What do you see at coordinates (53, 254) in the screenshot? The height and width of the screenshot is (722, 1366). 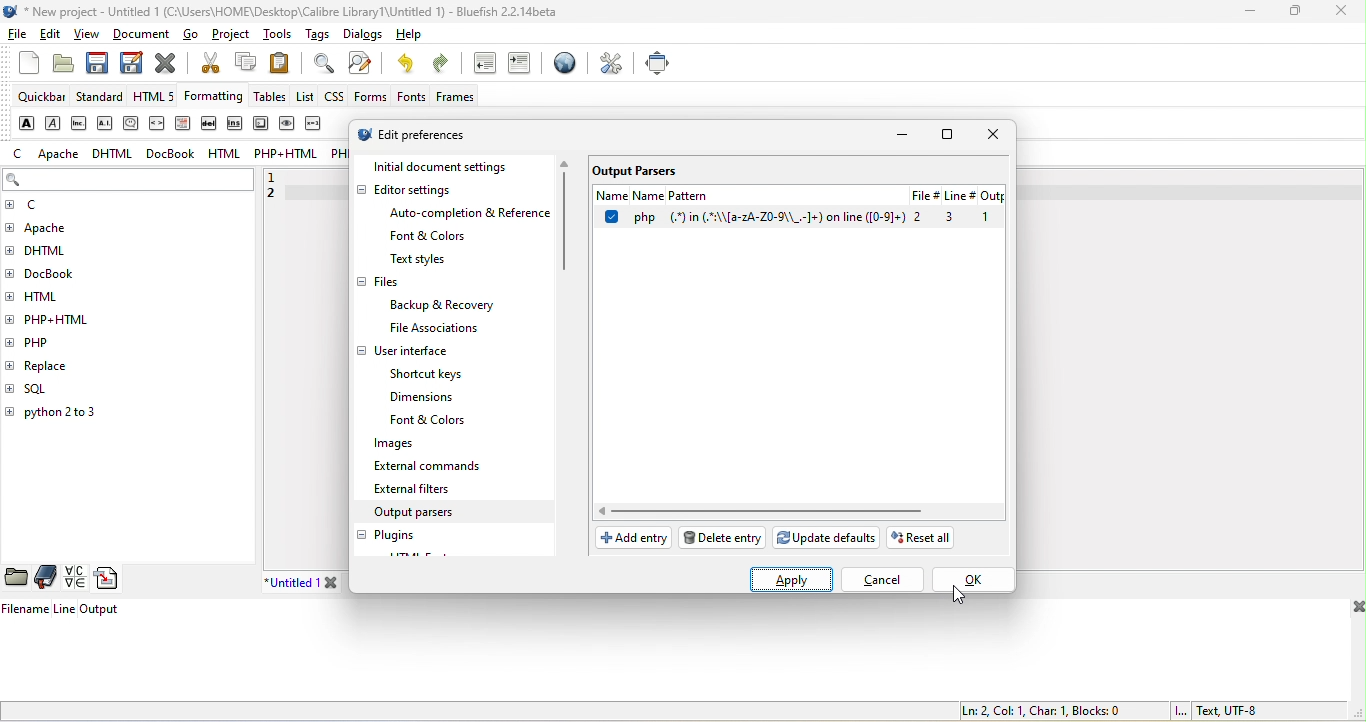 I see `dhtml` at bounding box center [53, 254].